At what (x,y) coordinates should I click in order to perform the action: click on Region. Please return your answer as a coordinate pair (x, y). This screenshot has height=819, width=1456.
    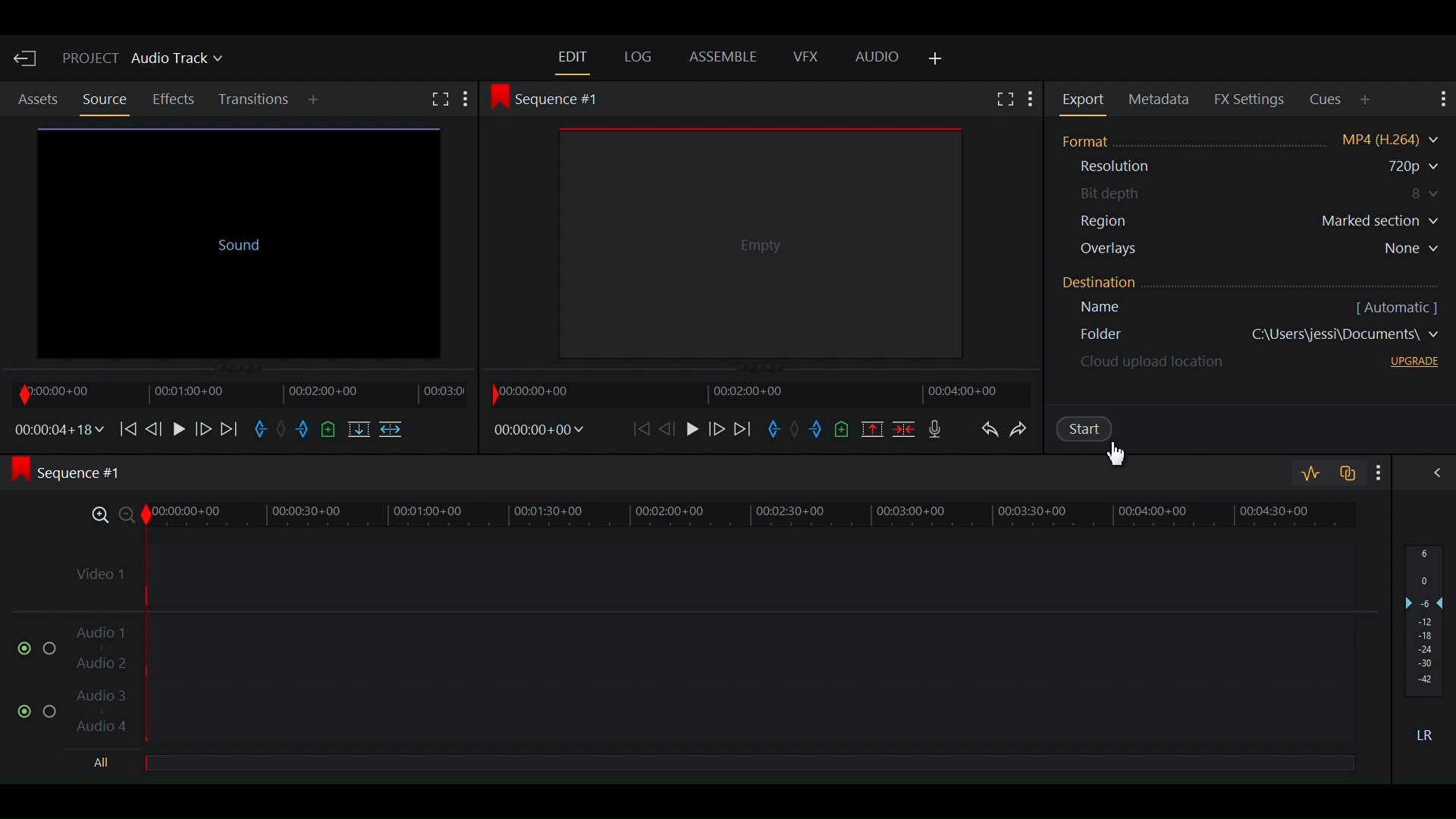
    Looking at the image, I should click on (1261, 223).